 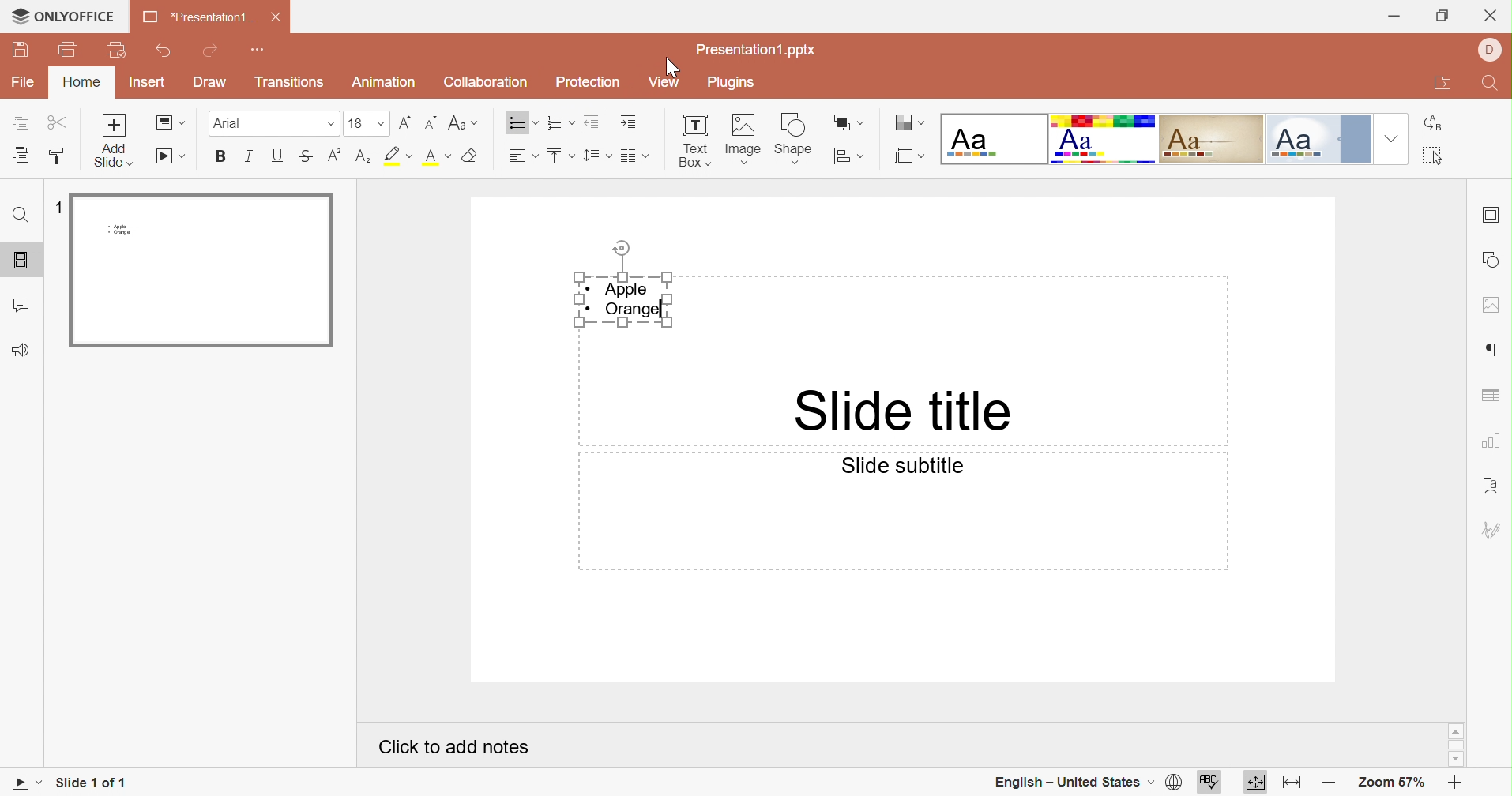 What do you see at coordinates (1437, 126) in the screenshot?
I see `Replace` at bounding box center [1437, 126].